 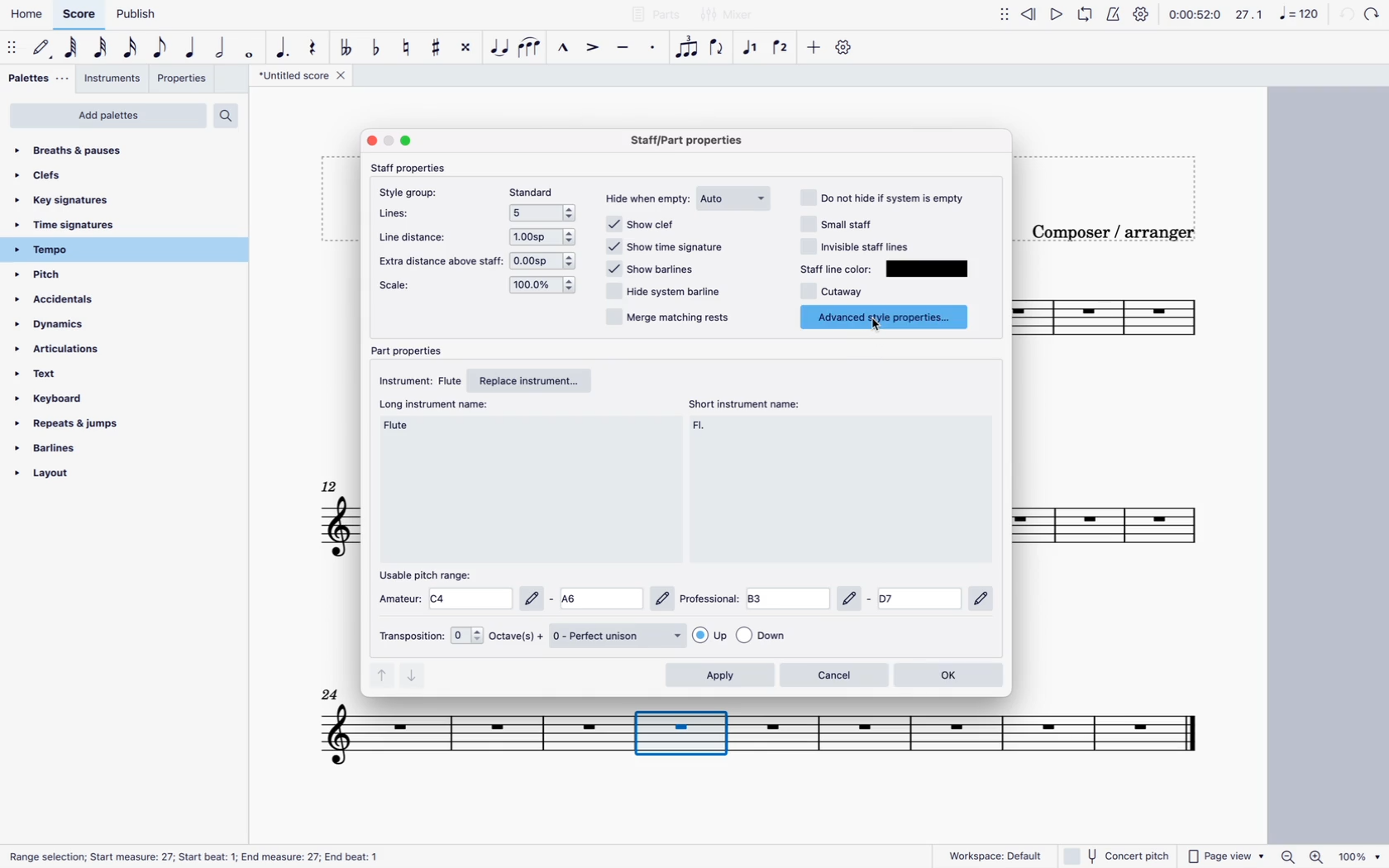 What do you see at coordinates (684, 141) in the screenshot?
I see `Staff/part properties` at bounding box center [684, 141].